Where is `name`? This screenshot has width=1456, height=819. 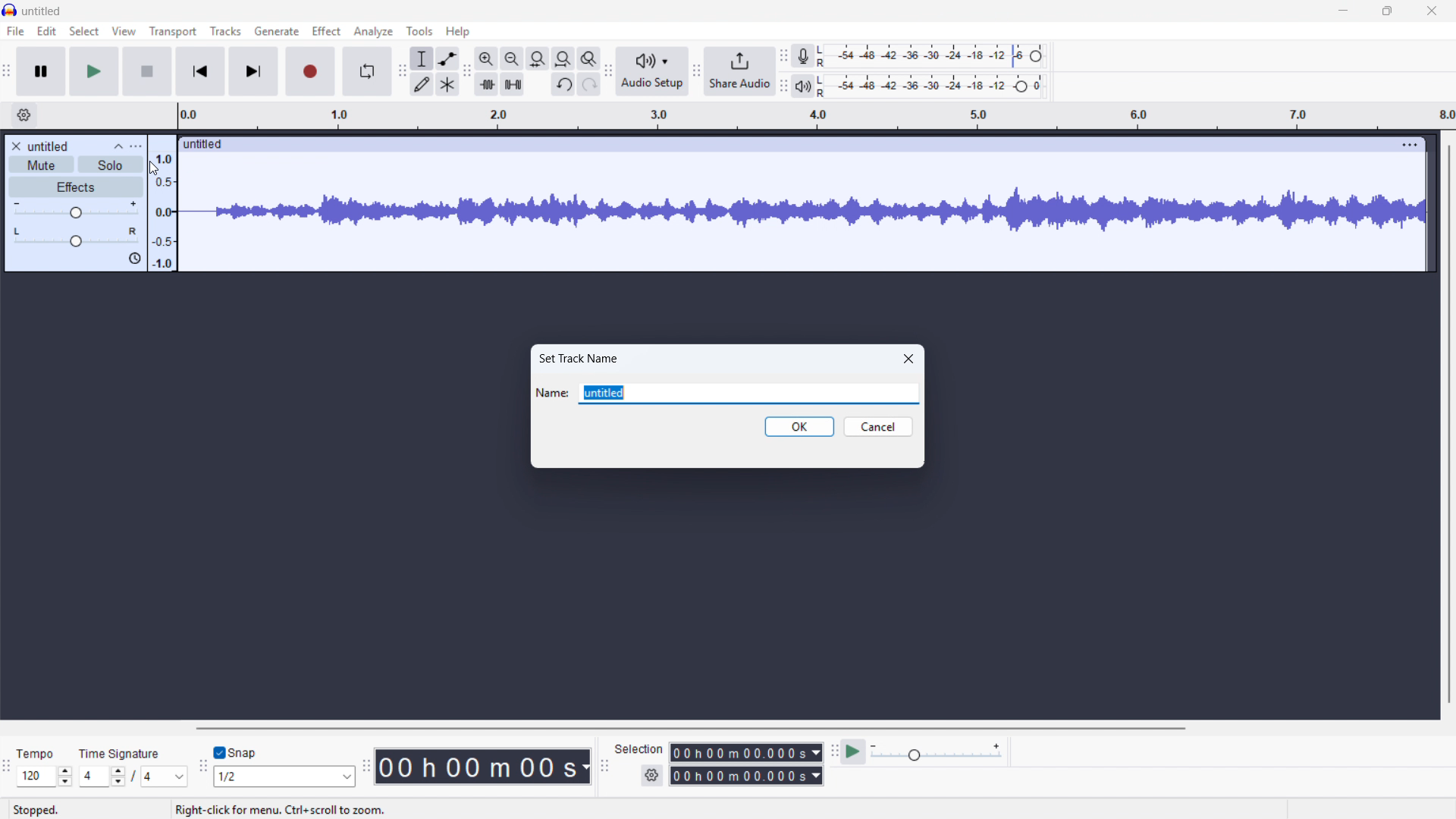
name is located at coordinates (552, 393).